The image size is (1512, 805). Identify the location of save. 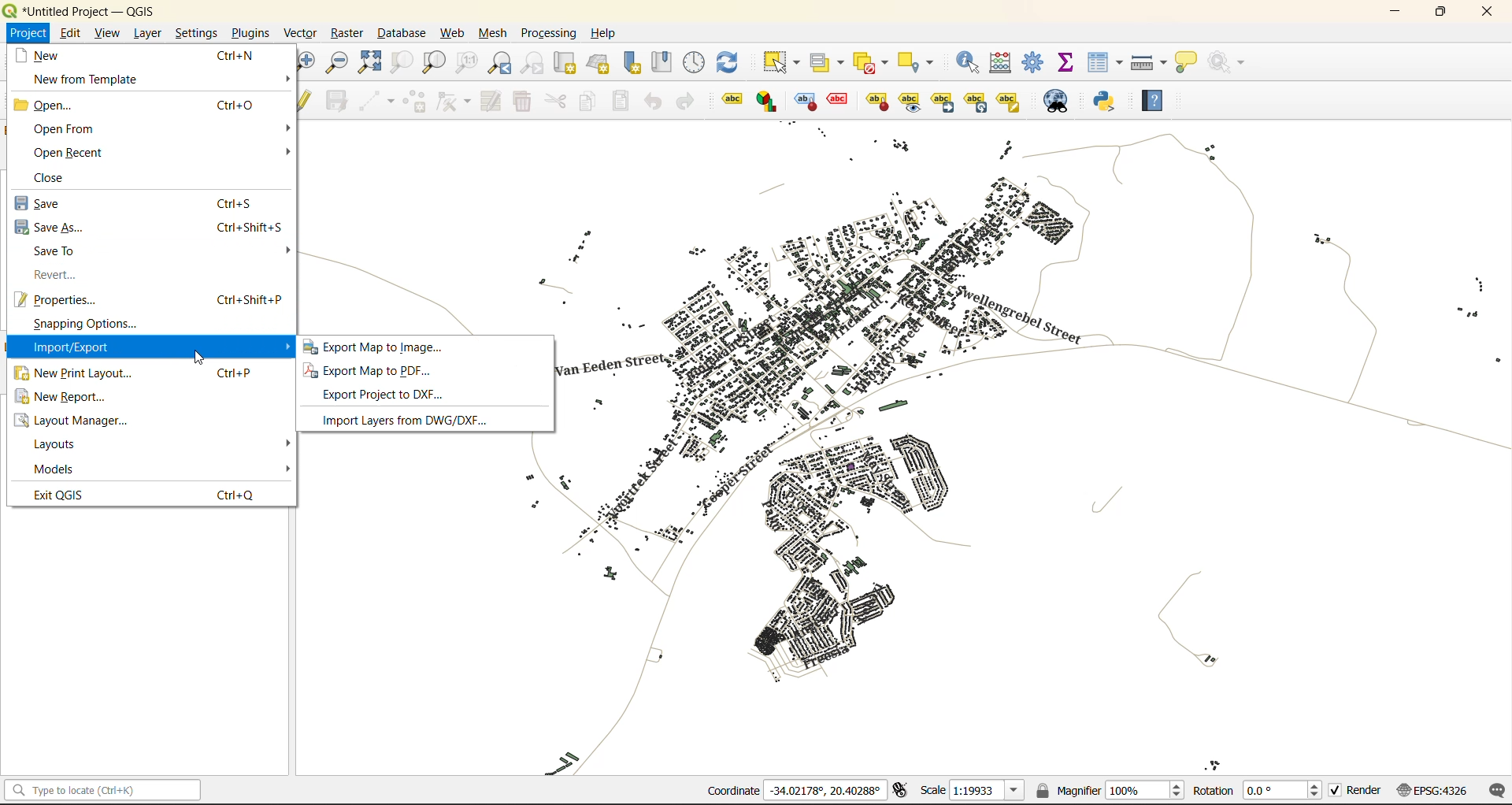
(49, 204).